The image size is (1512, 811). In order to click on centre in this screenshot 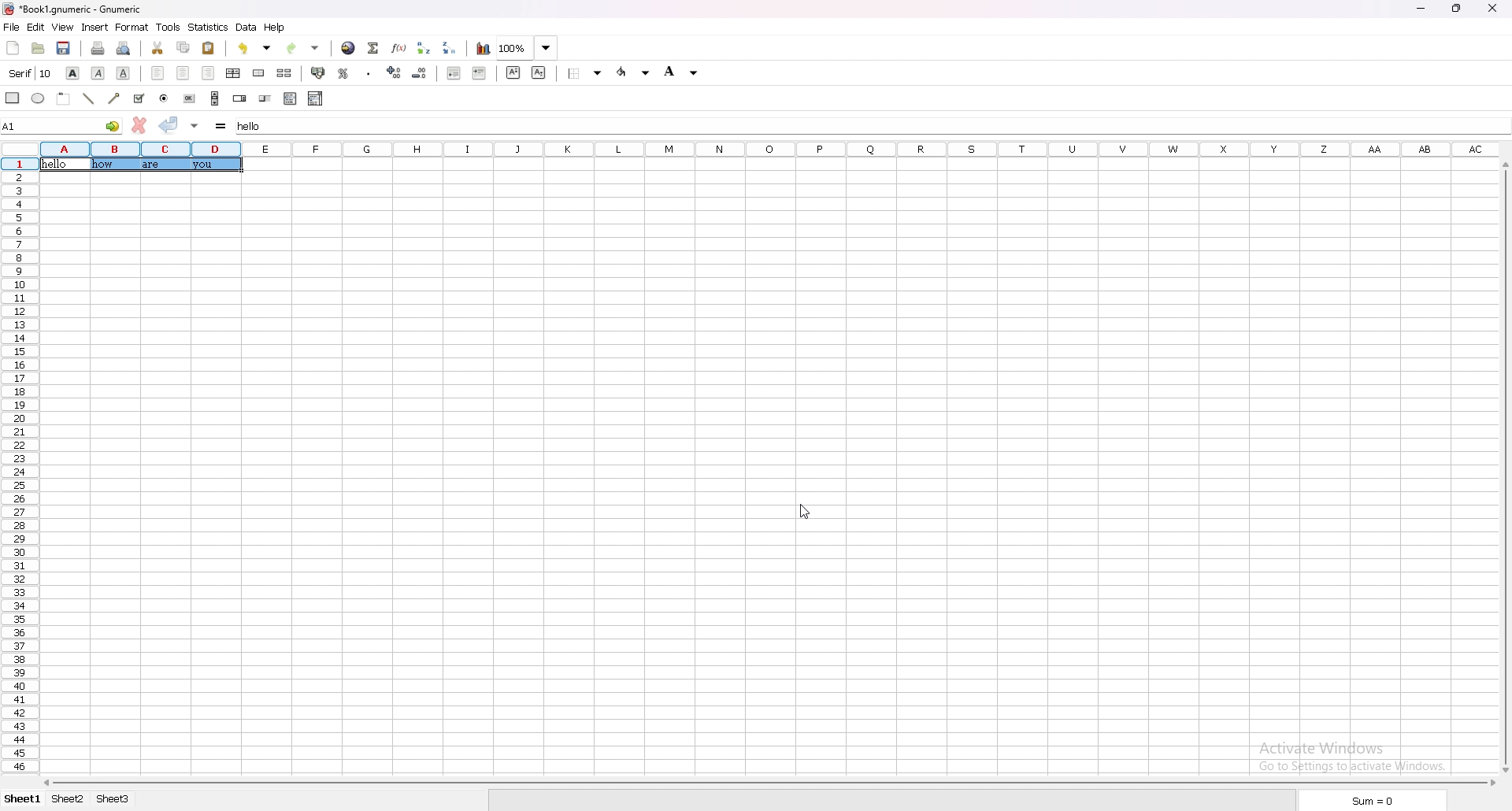, I will do `click(183, 73)`.